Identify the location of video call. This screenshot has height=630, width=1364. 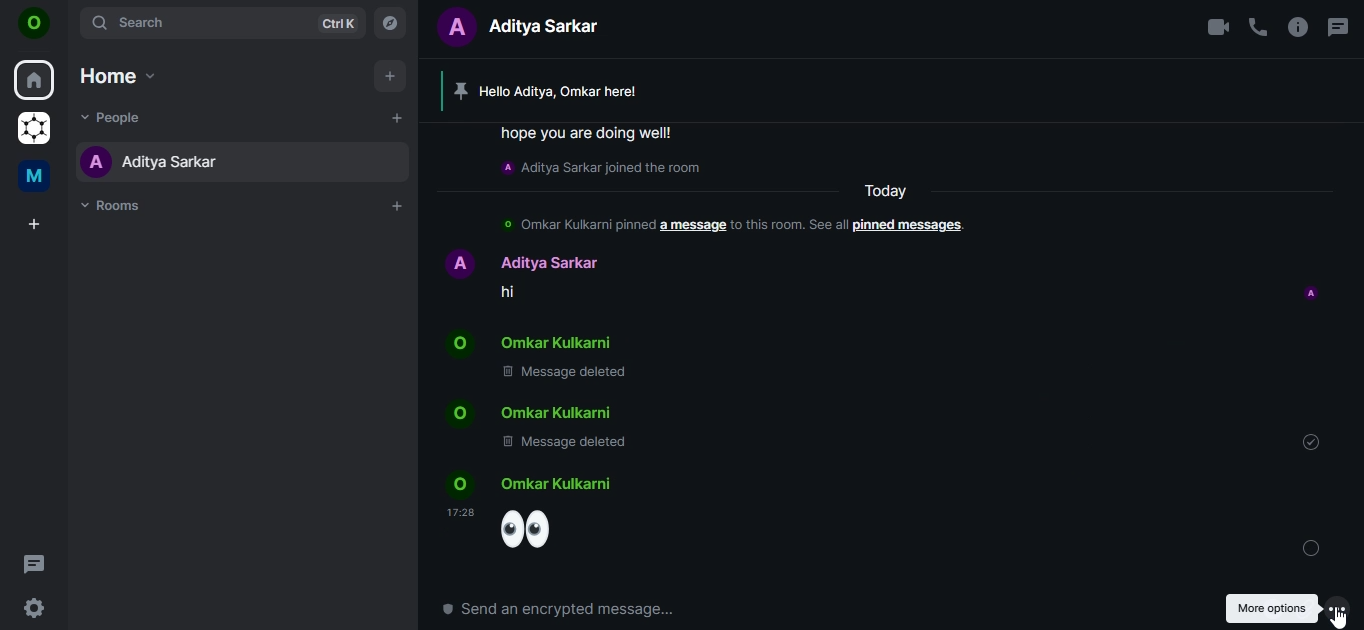
(1216, 27).